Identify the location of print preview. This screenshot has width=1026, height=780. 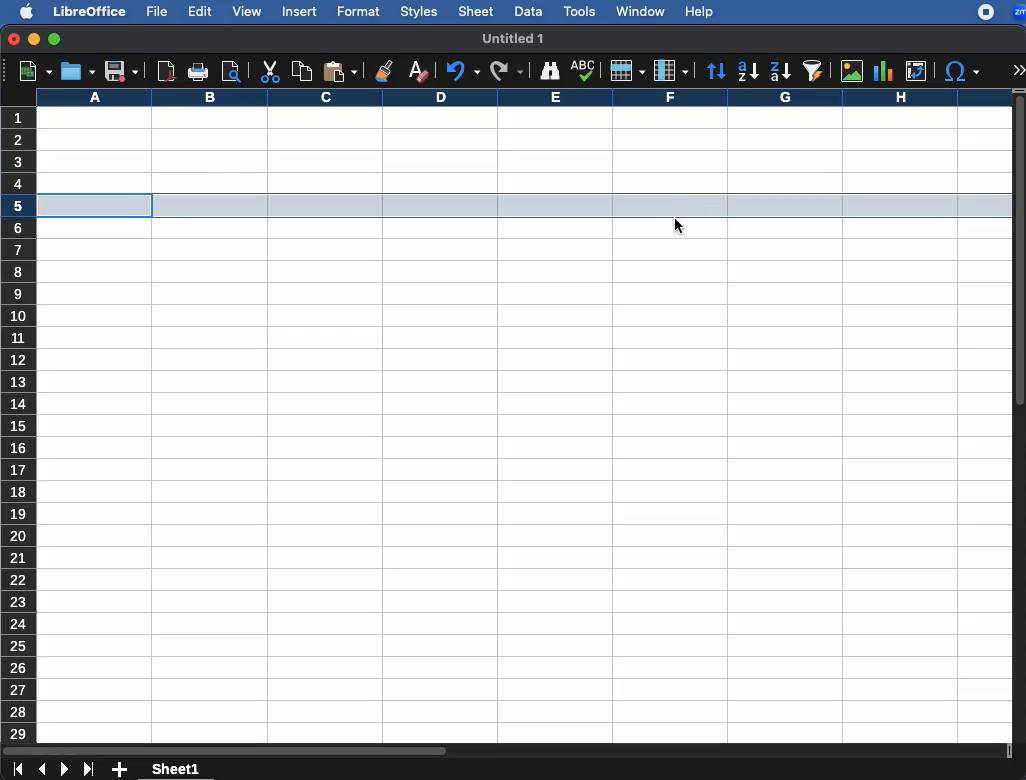
(233, 71).